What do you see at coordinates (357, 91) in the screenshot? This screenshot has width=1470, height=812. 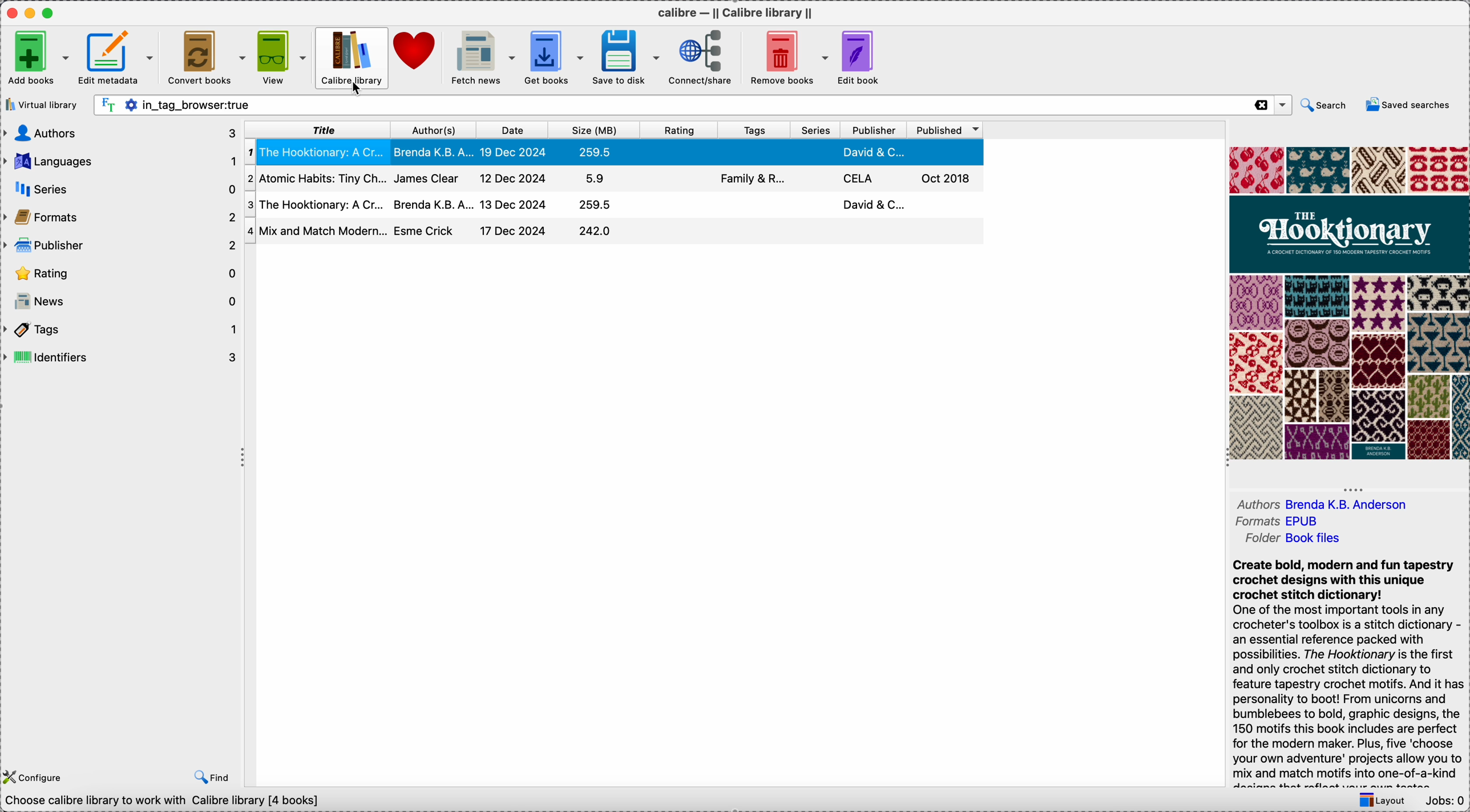 I see `cursor` at bounding box center [357, 91].